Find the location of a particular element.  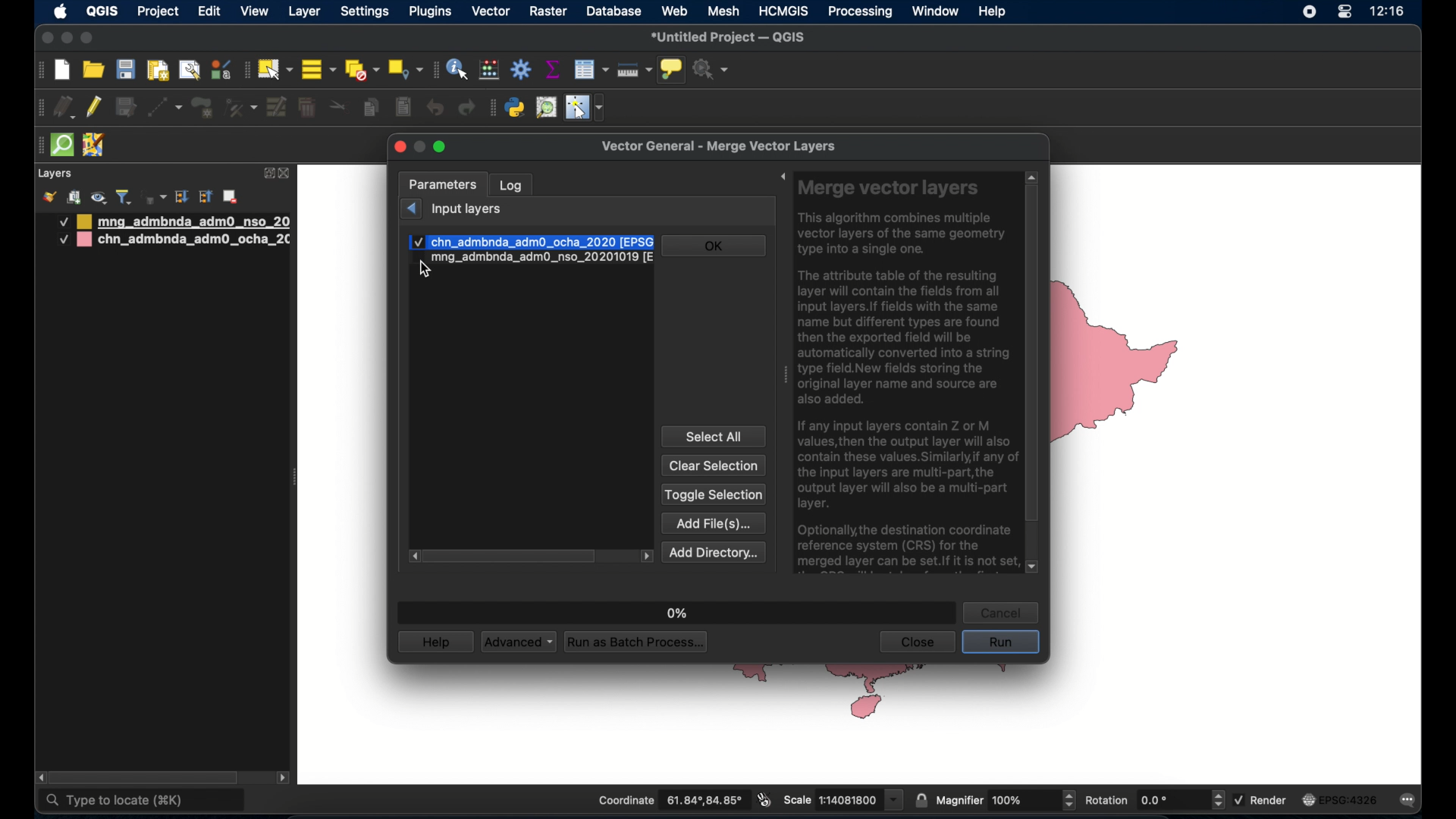

scroll up is located at coordinates (1031, 175).